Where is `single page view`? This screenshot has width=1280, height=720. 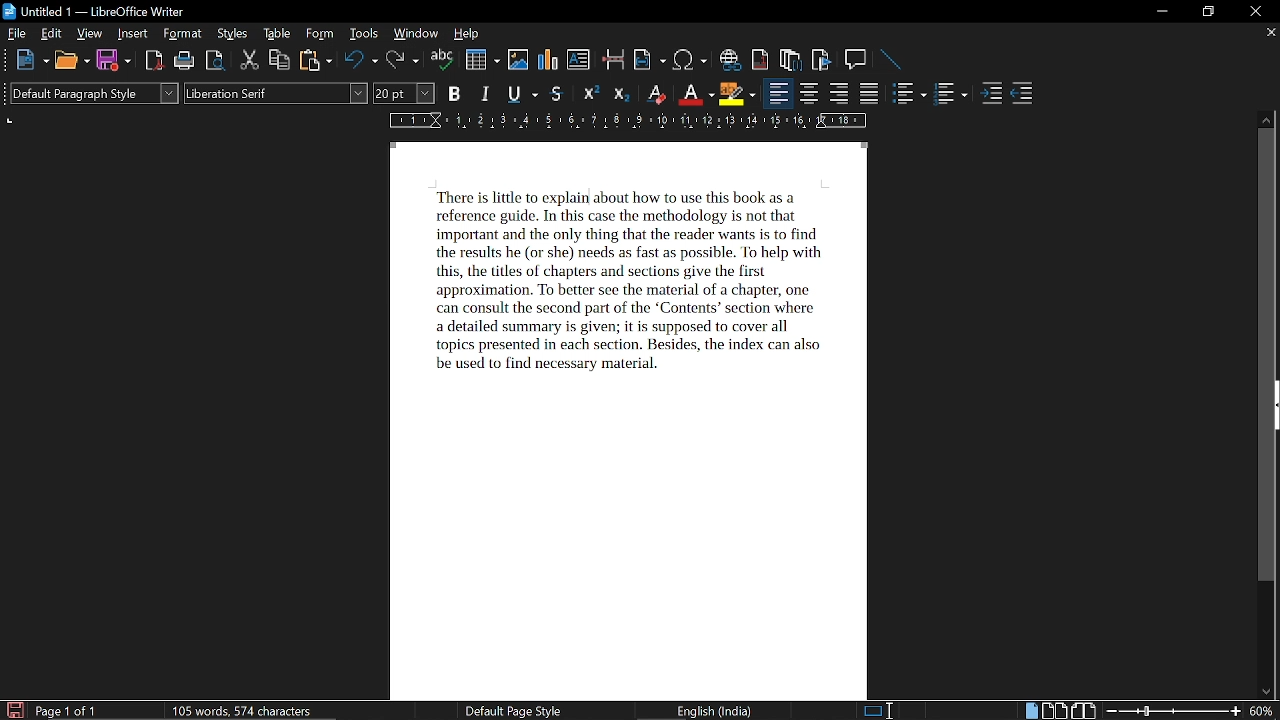 single page view is located at coordinates (1030, 711).